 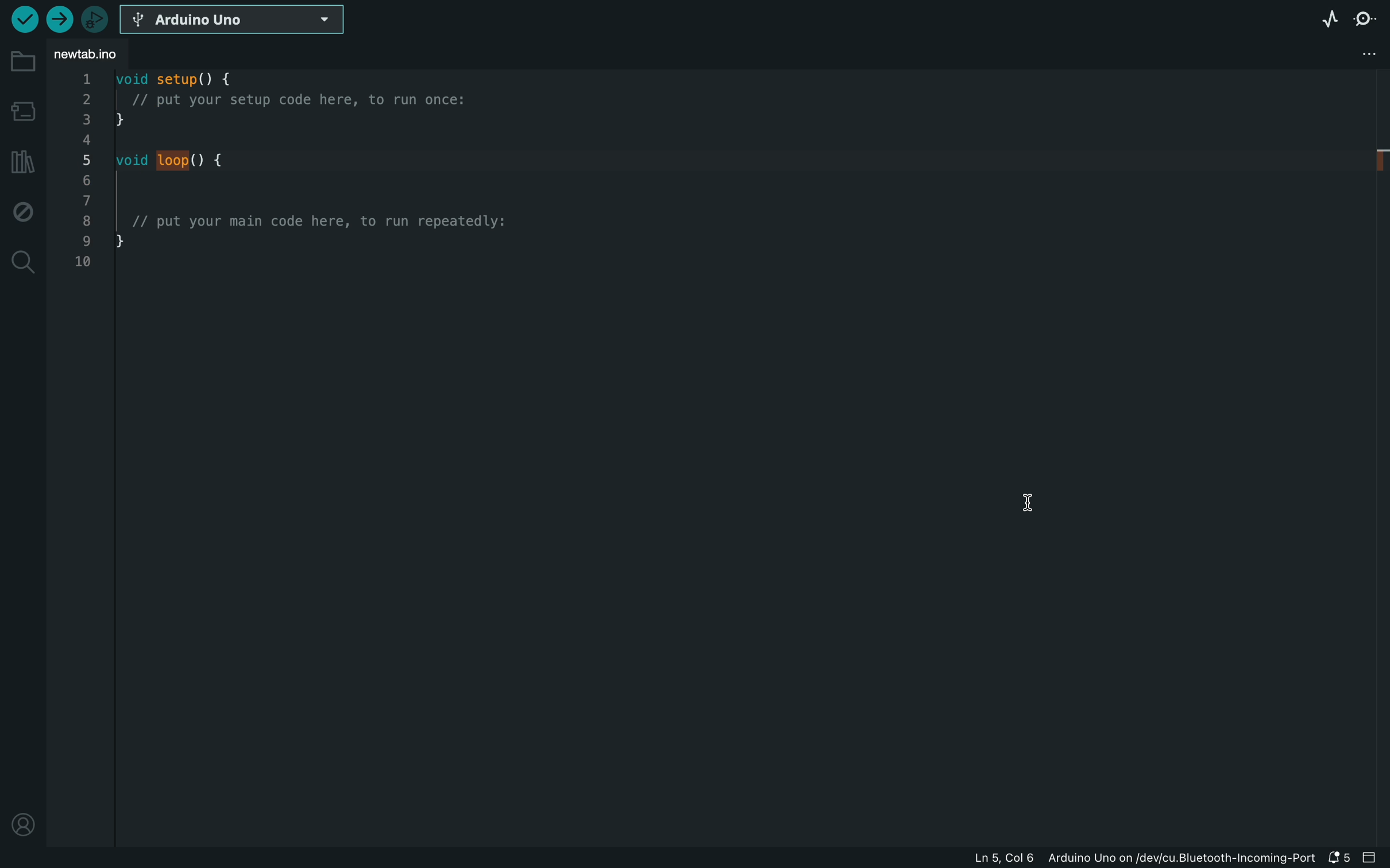 What do you see at coordinates (18, 819) in the screenshot?
I see `profile` at bounding box center [18, 819].